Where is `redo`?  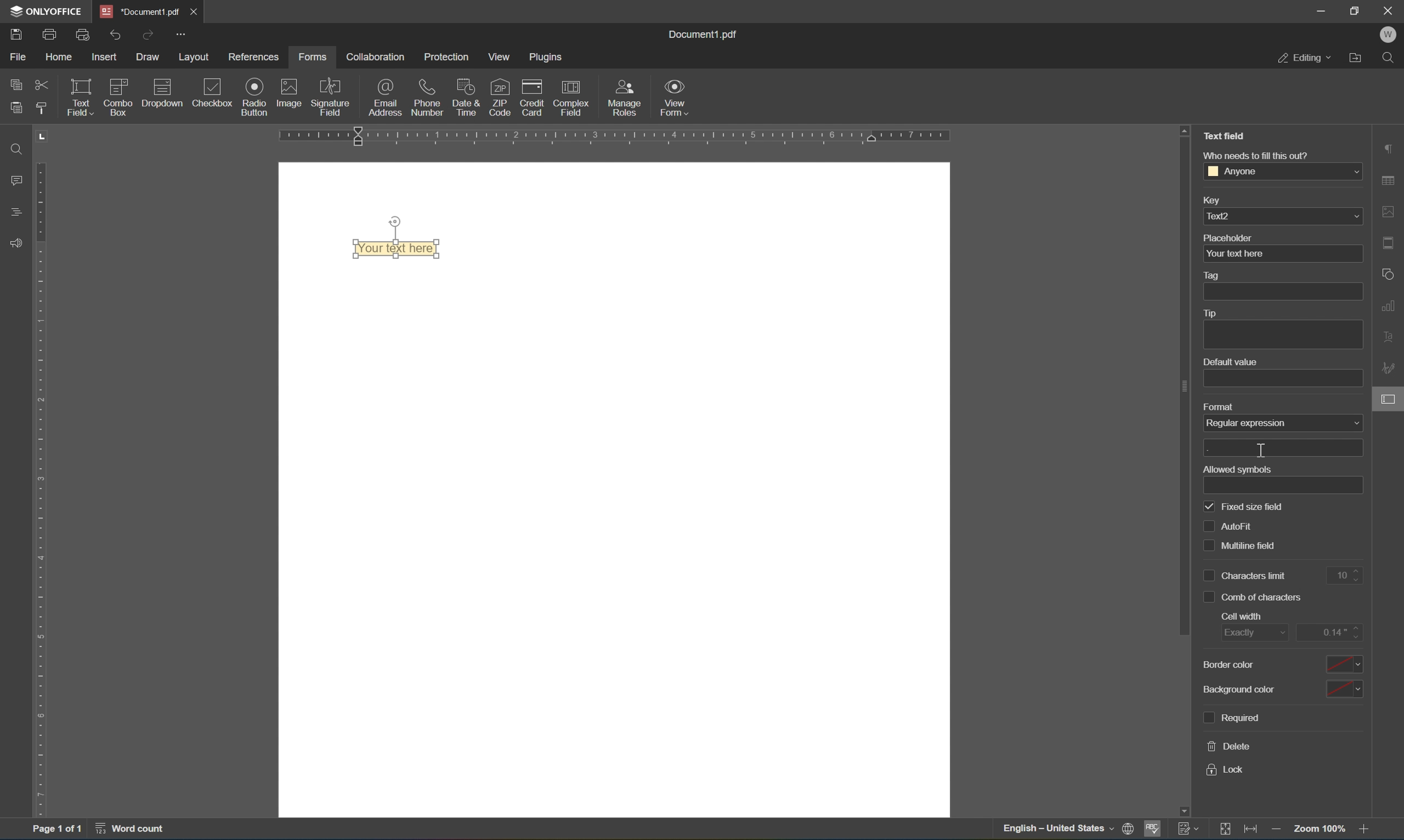 redo is located at coordinates (148, 35).